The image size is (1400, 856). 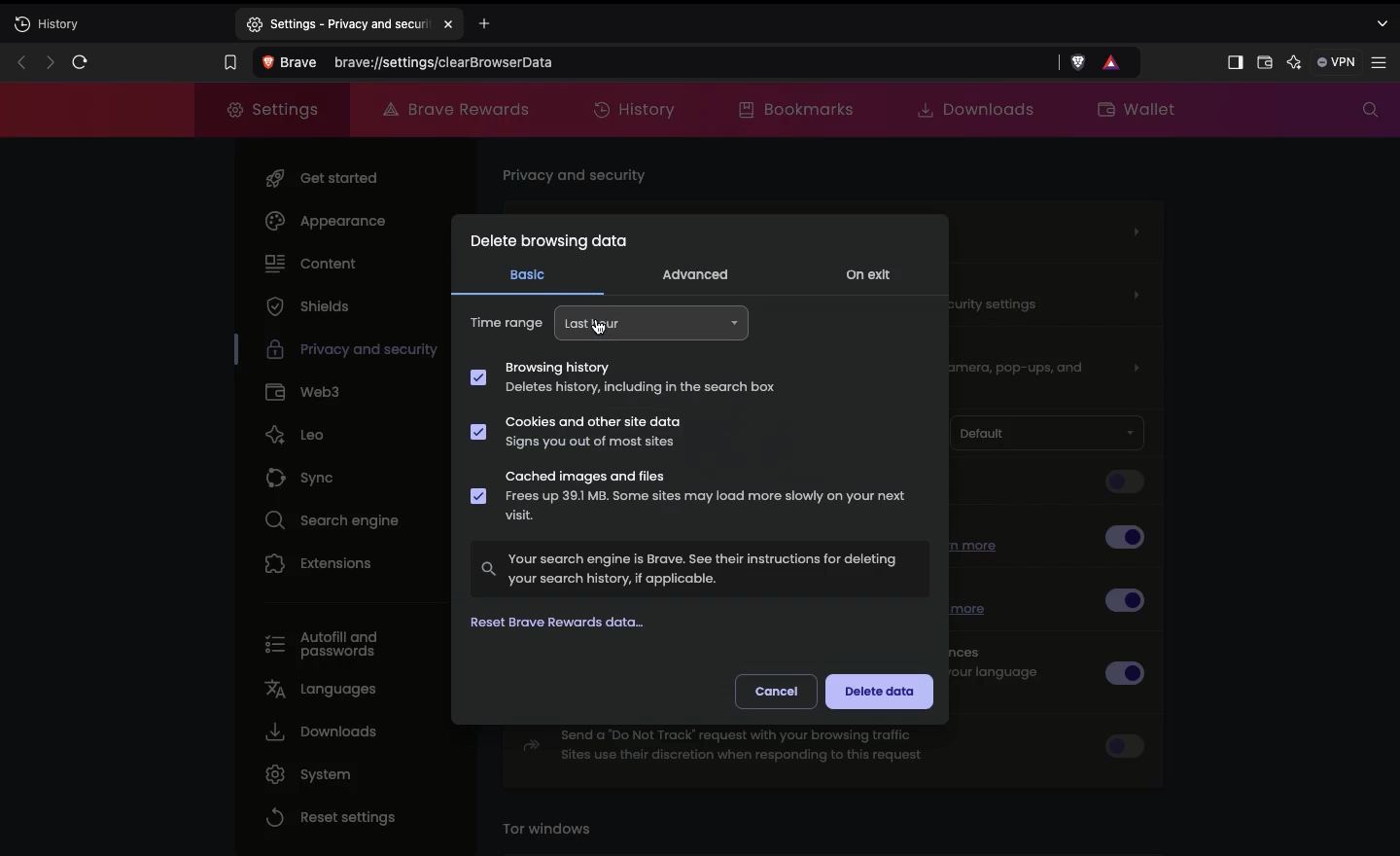 I want to click on Sidebar, so click(x=1233, y=62).